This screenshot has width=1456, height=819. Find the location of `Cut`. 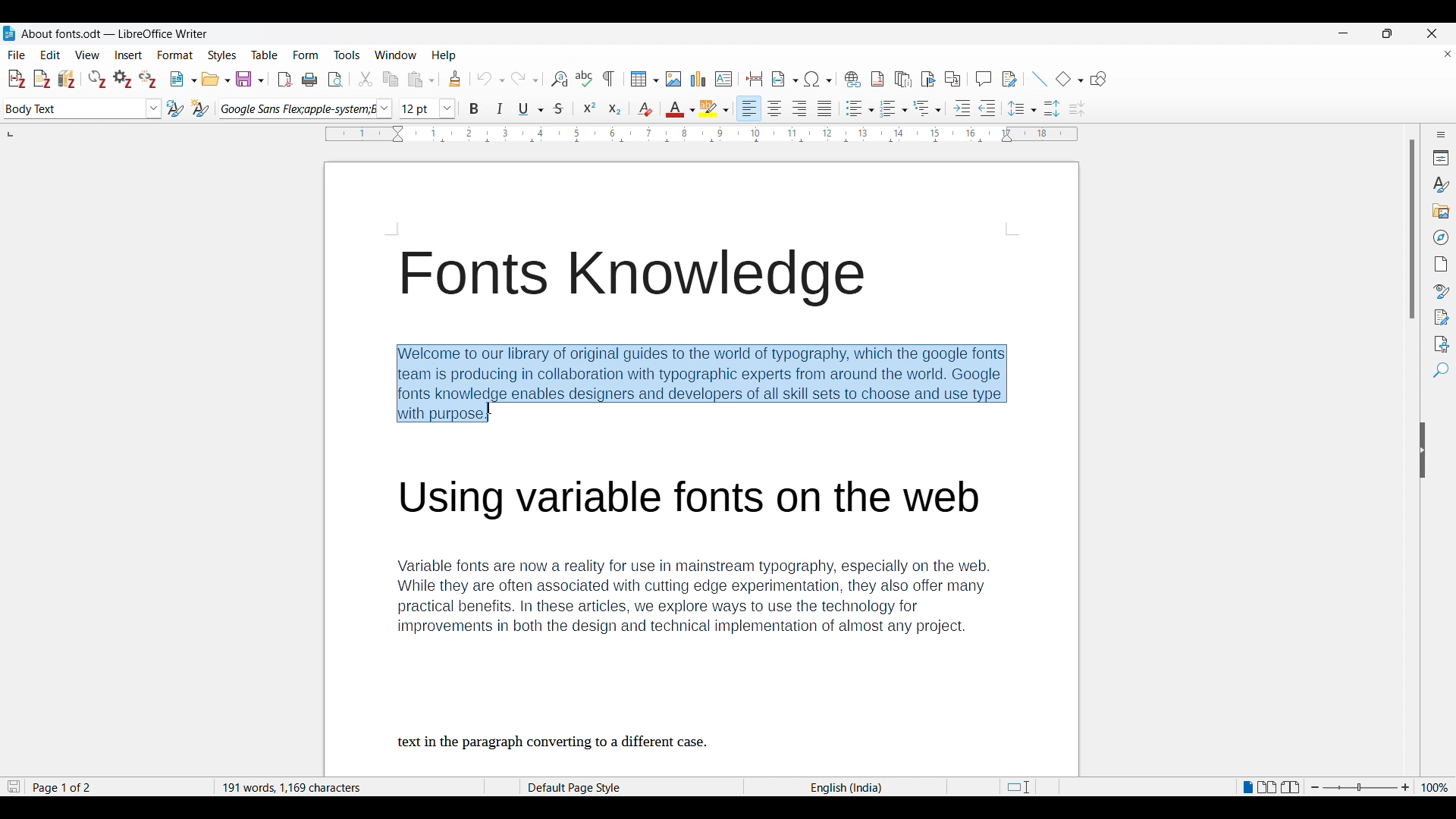

Cut is located at coordinates (366, 79).